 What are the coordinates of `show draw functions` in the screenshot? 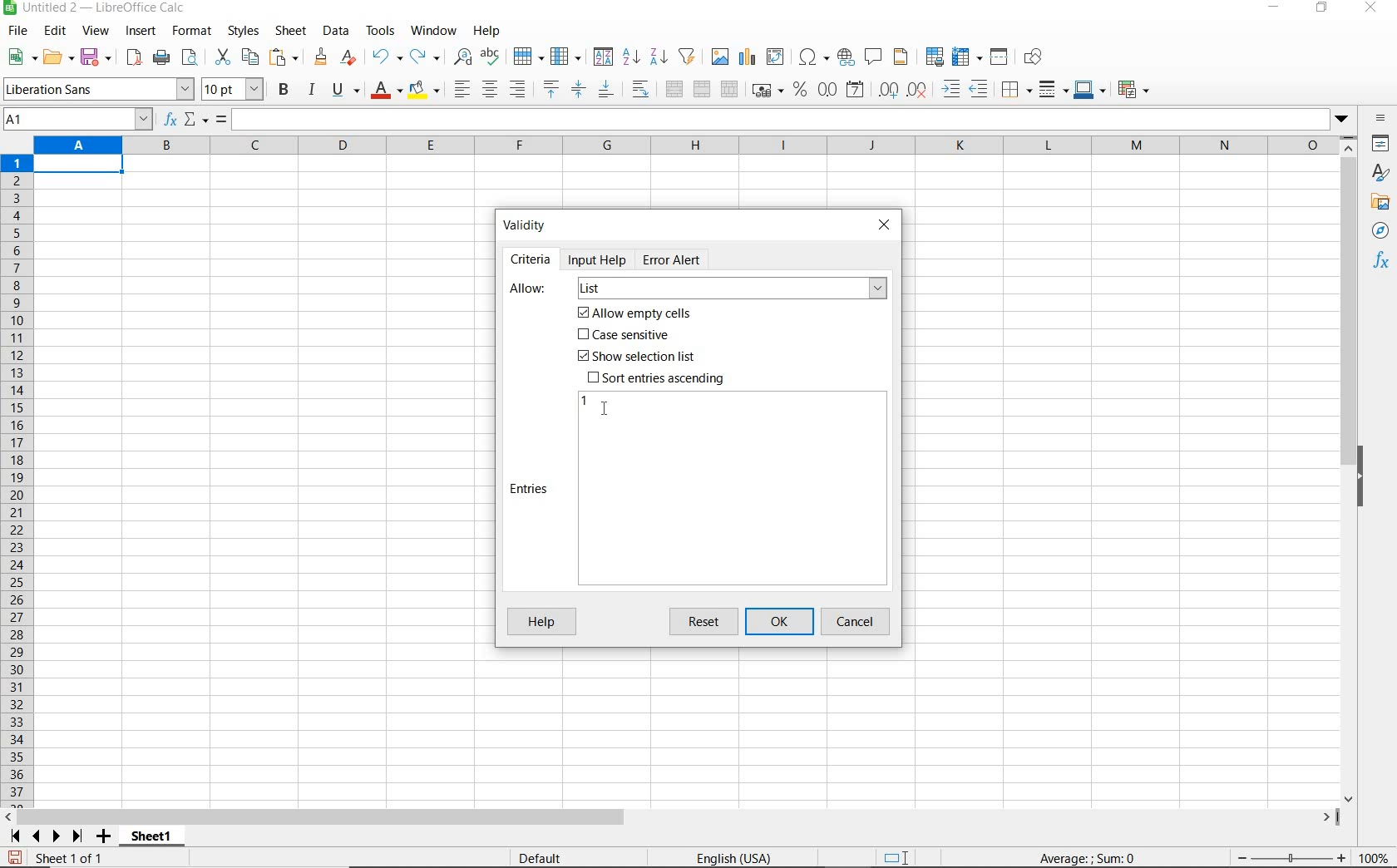 It's located at (1036, 57).